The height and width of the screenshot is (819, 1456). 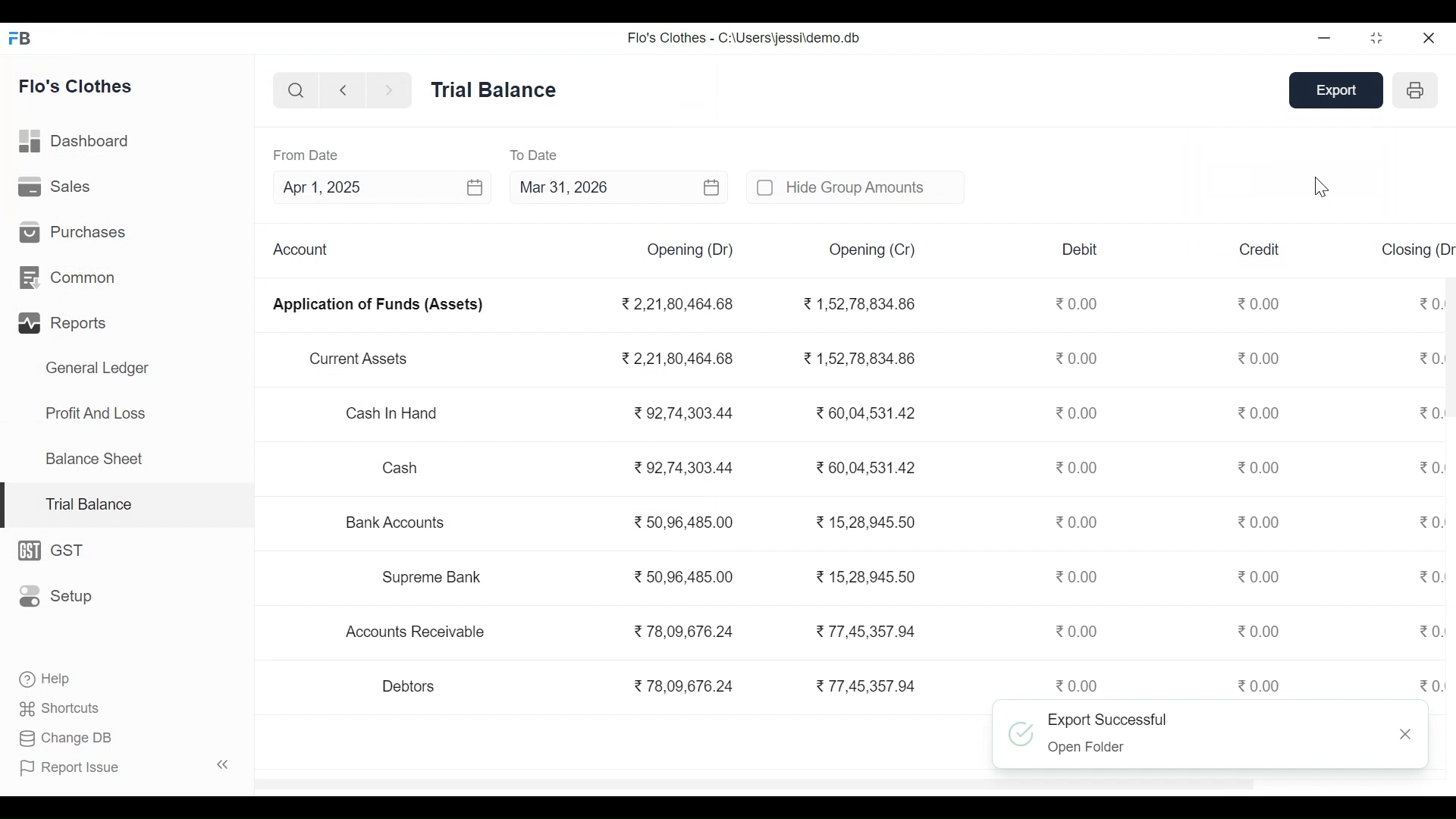 I want to click on 15.28.945 50, so click(x=867, y=522).